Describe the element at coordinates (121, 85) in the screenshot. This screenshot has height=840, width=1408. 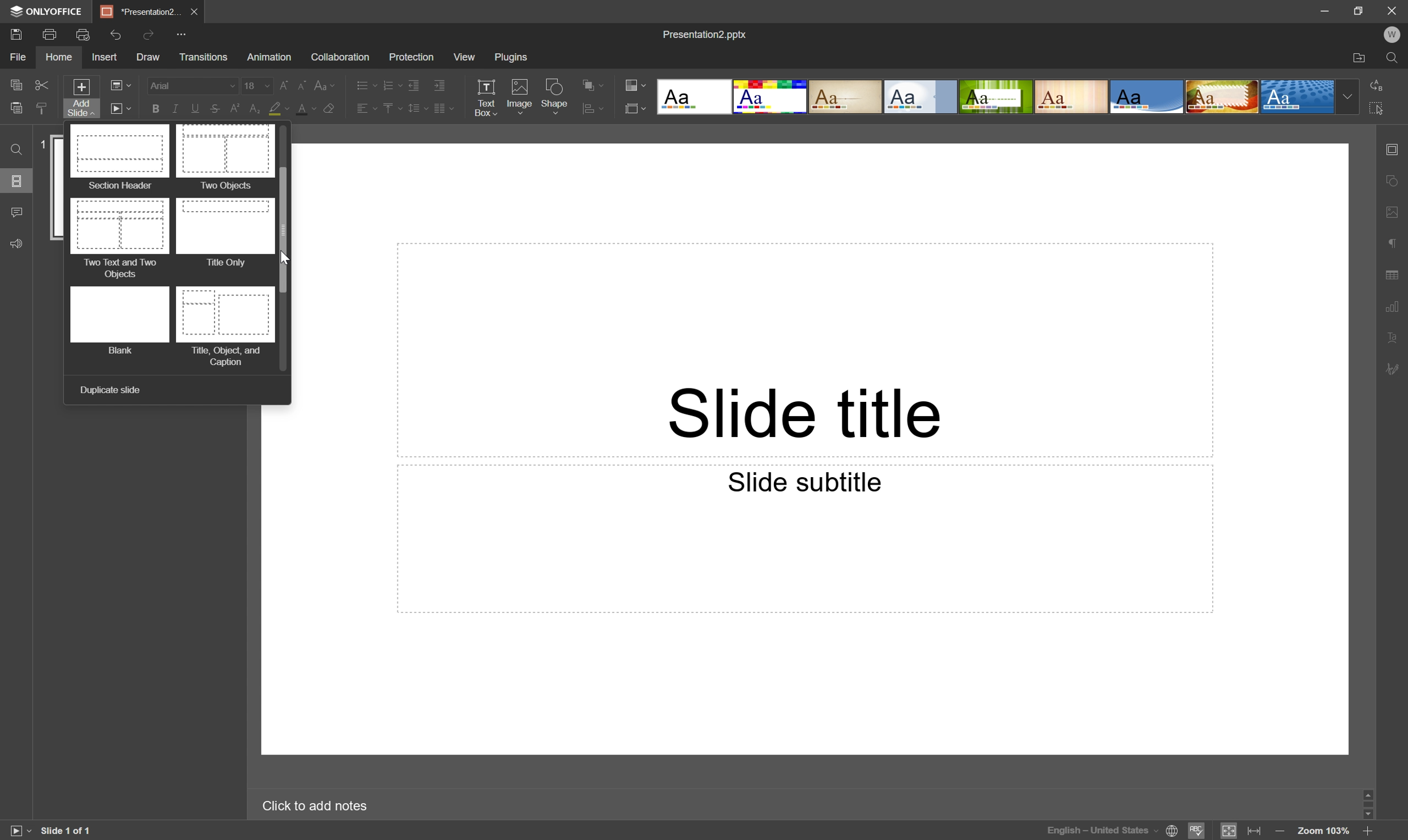
I see `Change slide layout` at that location.